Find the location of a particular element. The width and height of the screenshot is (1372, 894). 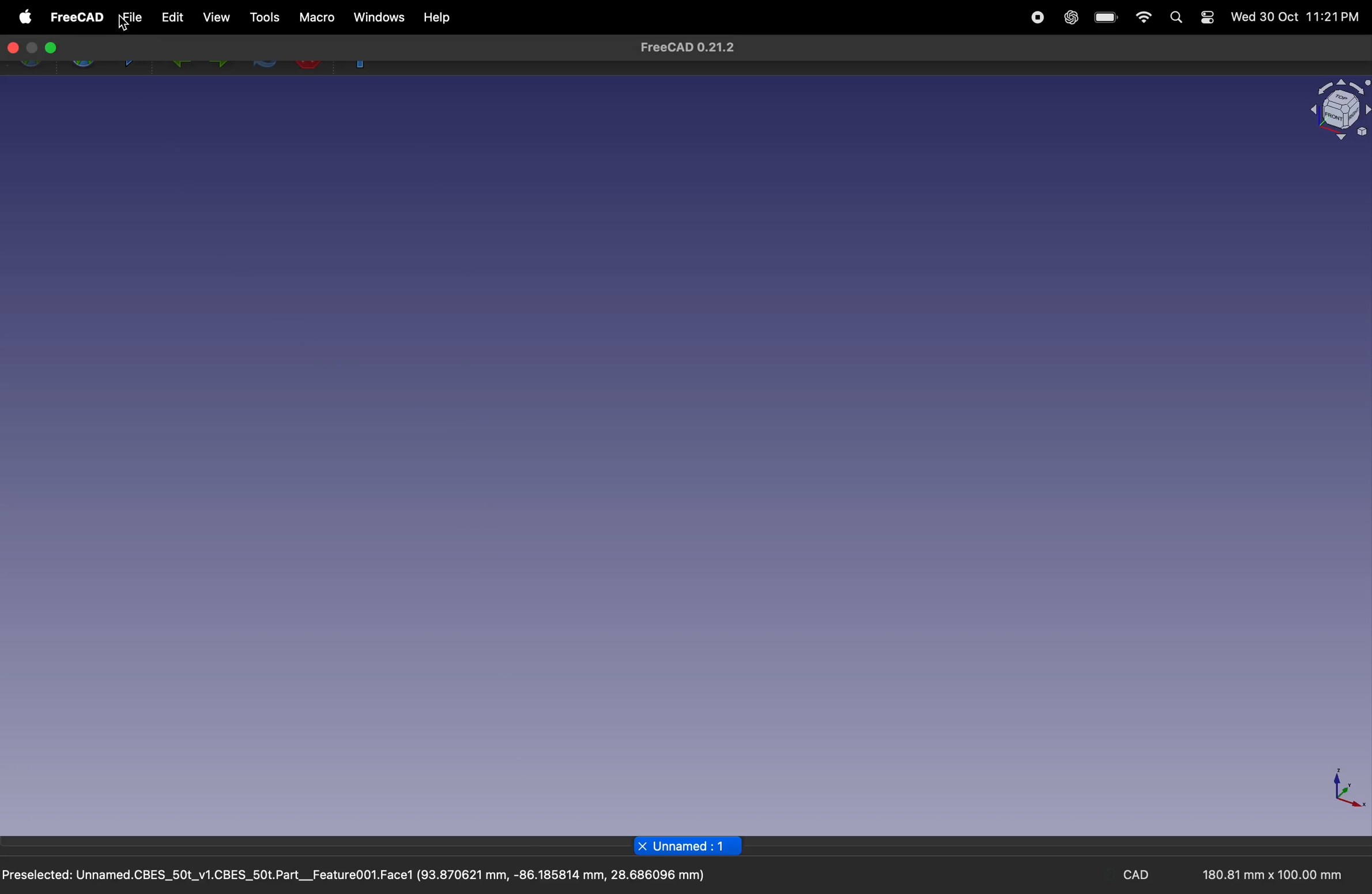

wifi is located at coordinates (1143, 19).